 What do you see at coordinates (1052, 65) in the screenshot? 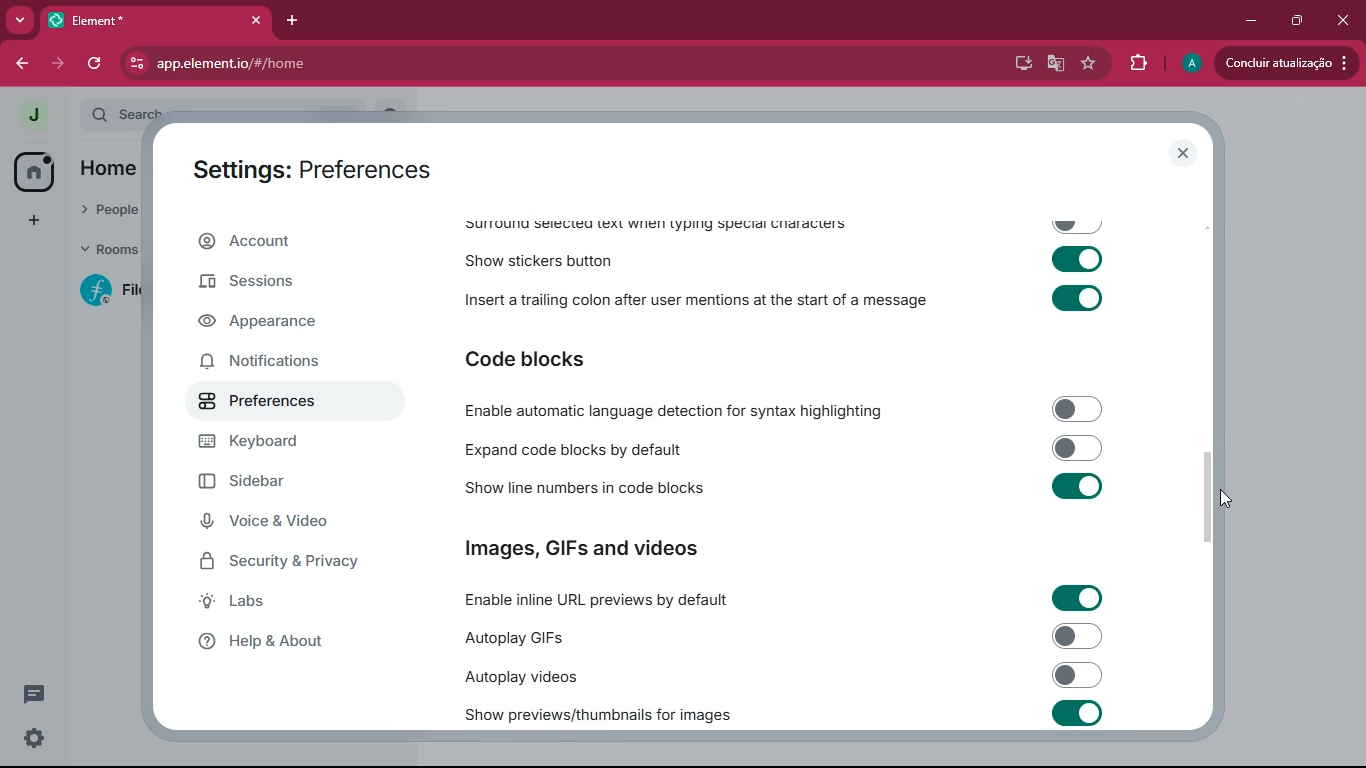
I see `google translate ` at bounding box center [1052, 65].